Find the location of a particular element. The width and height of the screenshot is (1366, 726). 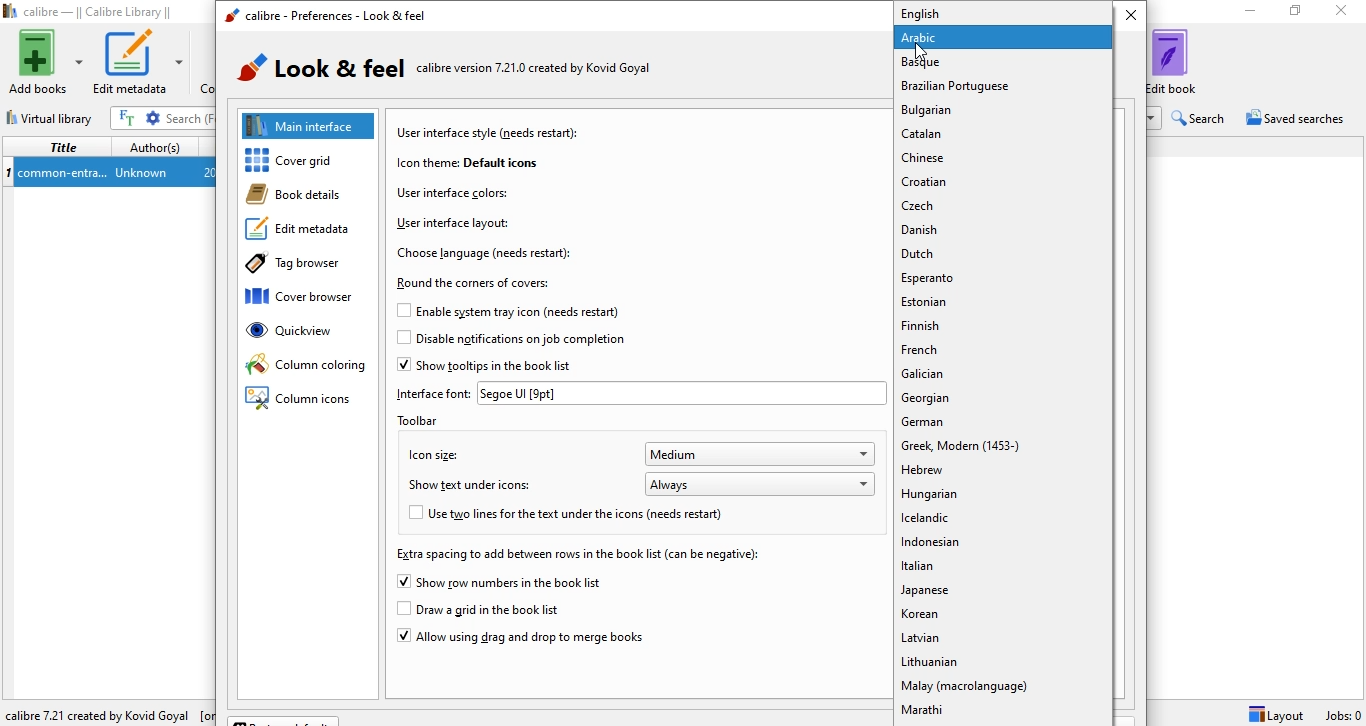

Search bar is located at coordinates (190, 118).